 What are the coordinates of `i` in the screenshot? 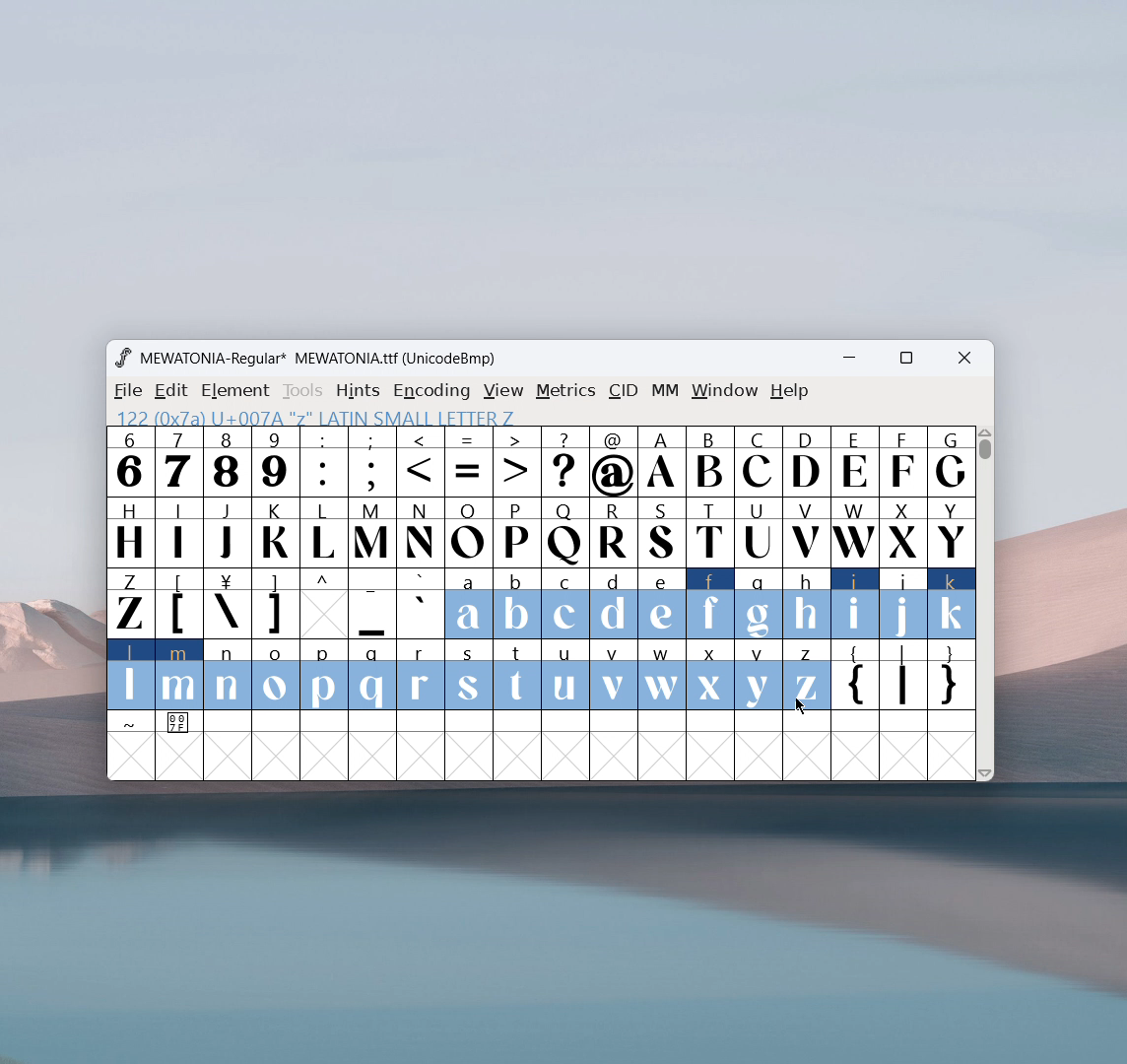 It's located at (855, 604).